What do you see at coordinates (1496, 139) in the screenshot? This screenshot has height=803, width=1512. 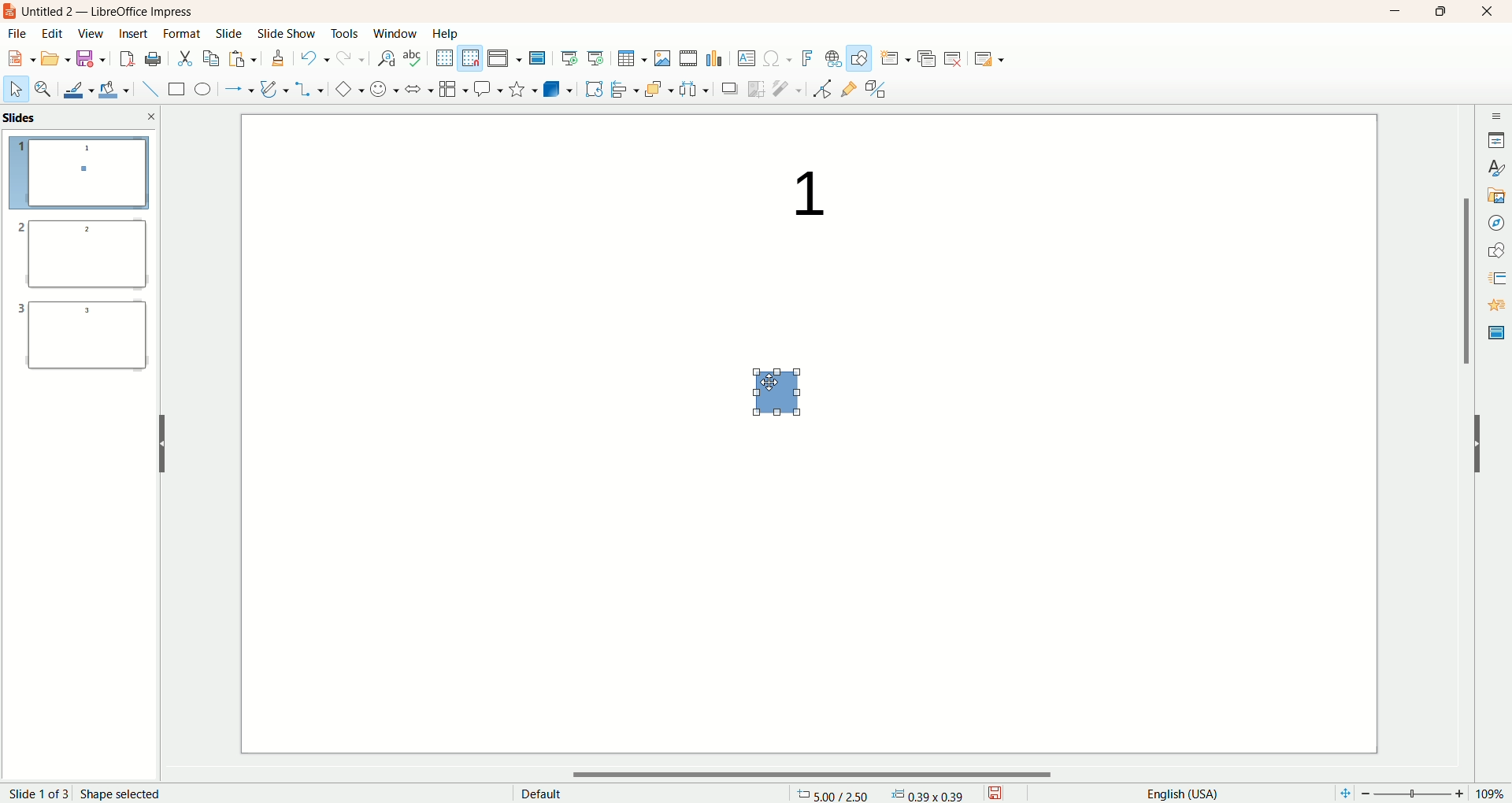 I see `properties` at bounding box center [1496, 139].